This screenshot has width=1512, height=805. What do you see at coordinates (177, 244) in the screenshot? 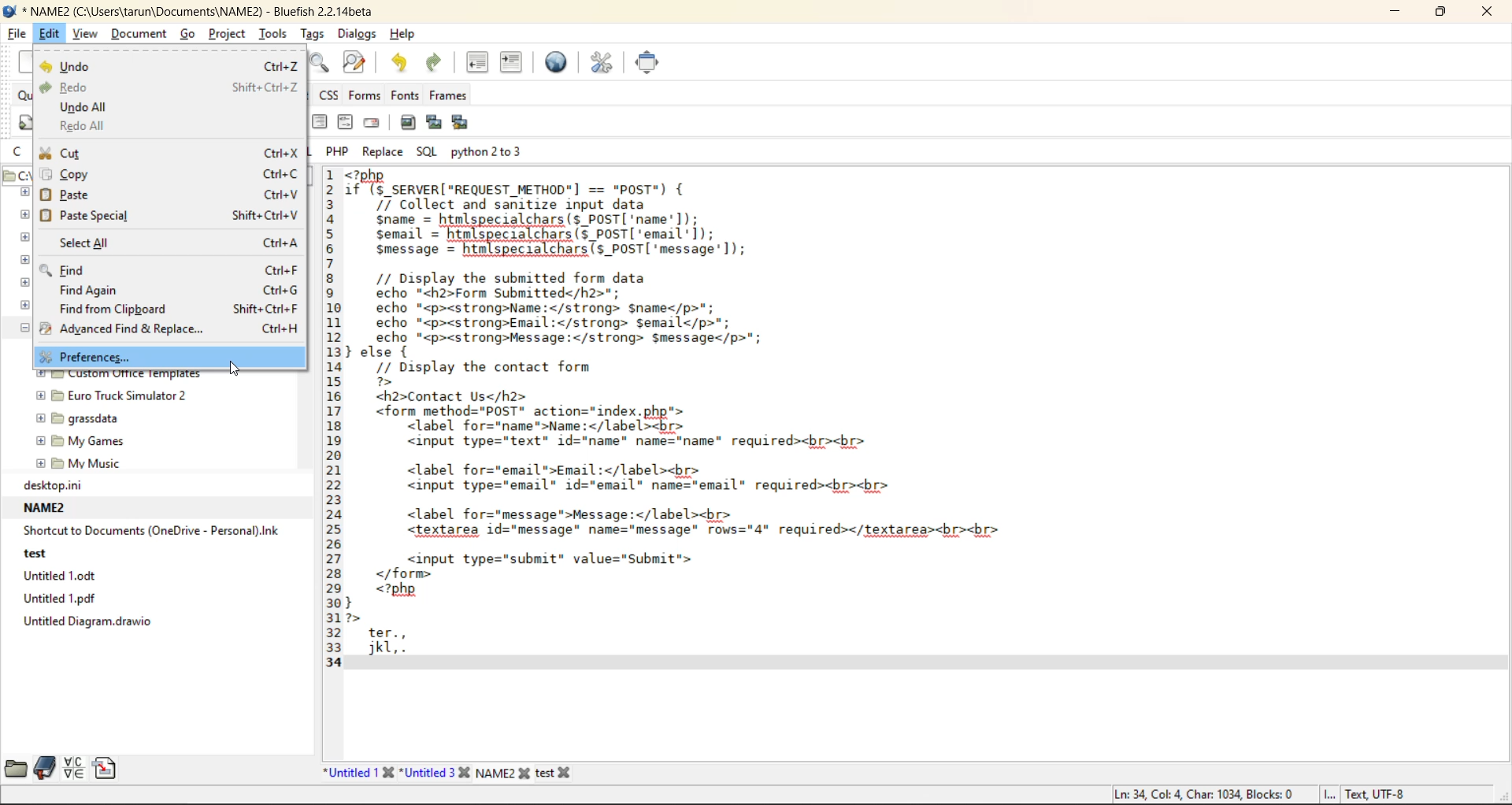
I see `select all` at bounding box center [177, 244].